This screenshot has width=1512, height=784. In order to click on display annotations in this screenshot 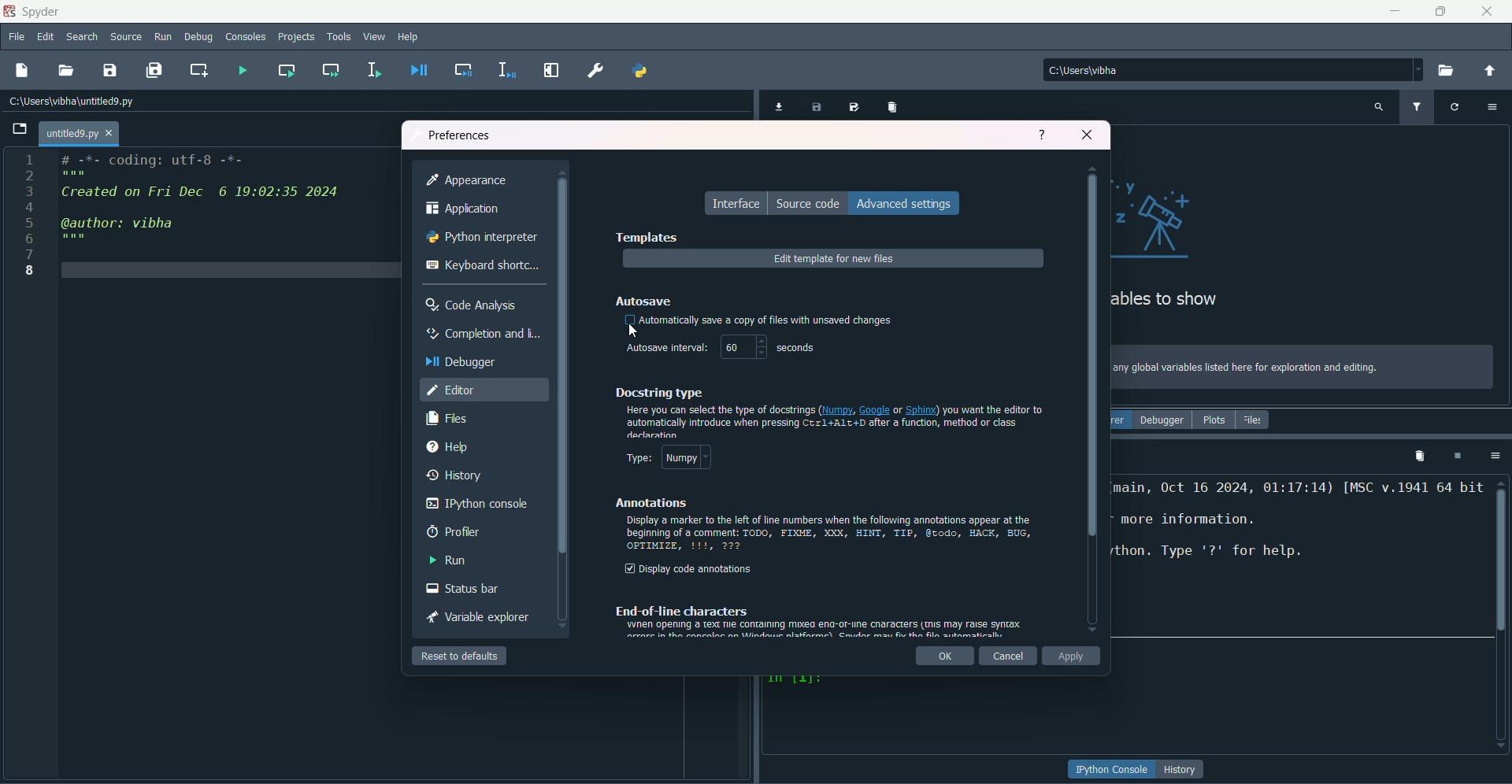, I will do `click(689, 570)`.